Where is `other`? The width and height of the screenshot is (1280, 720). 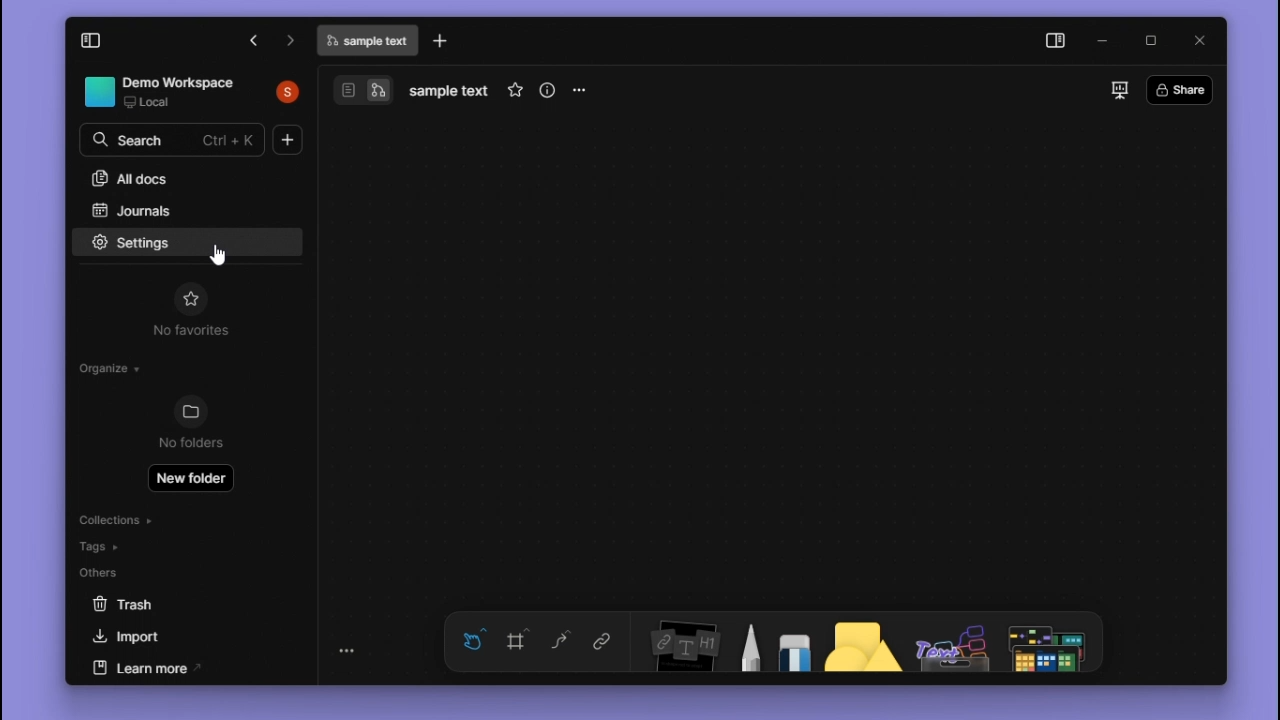
other is located at coordinates (948, 644).